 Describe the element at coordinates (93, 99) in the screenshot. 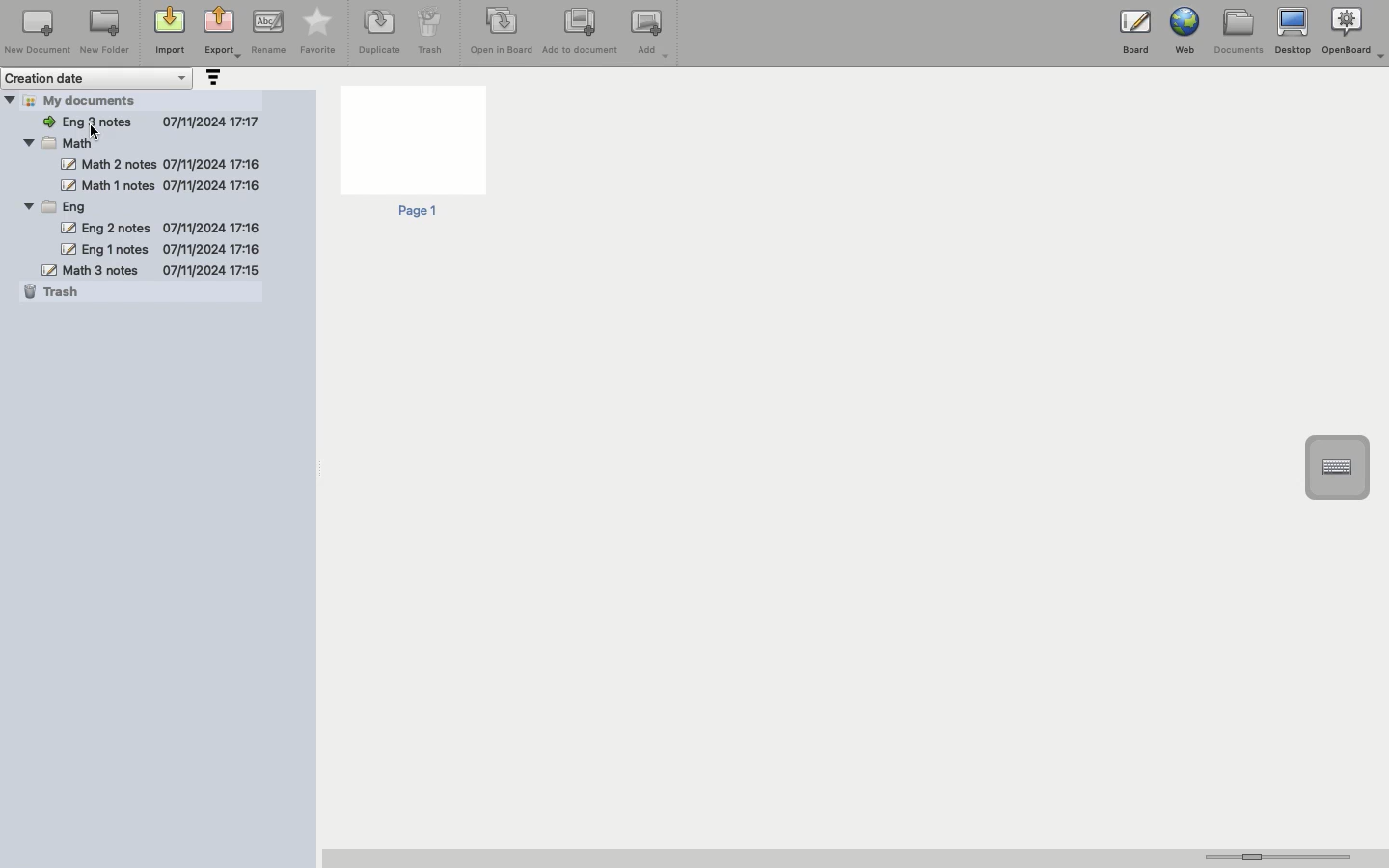

I see `My documents` at that location.